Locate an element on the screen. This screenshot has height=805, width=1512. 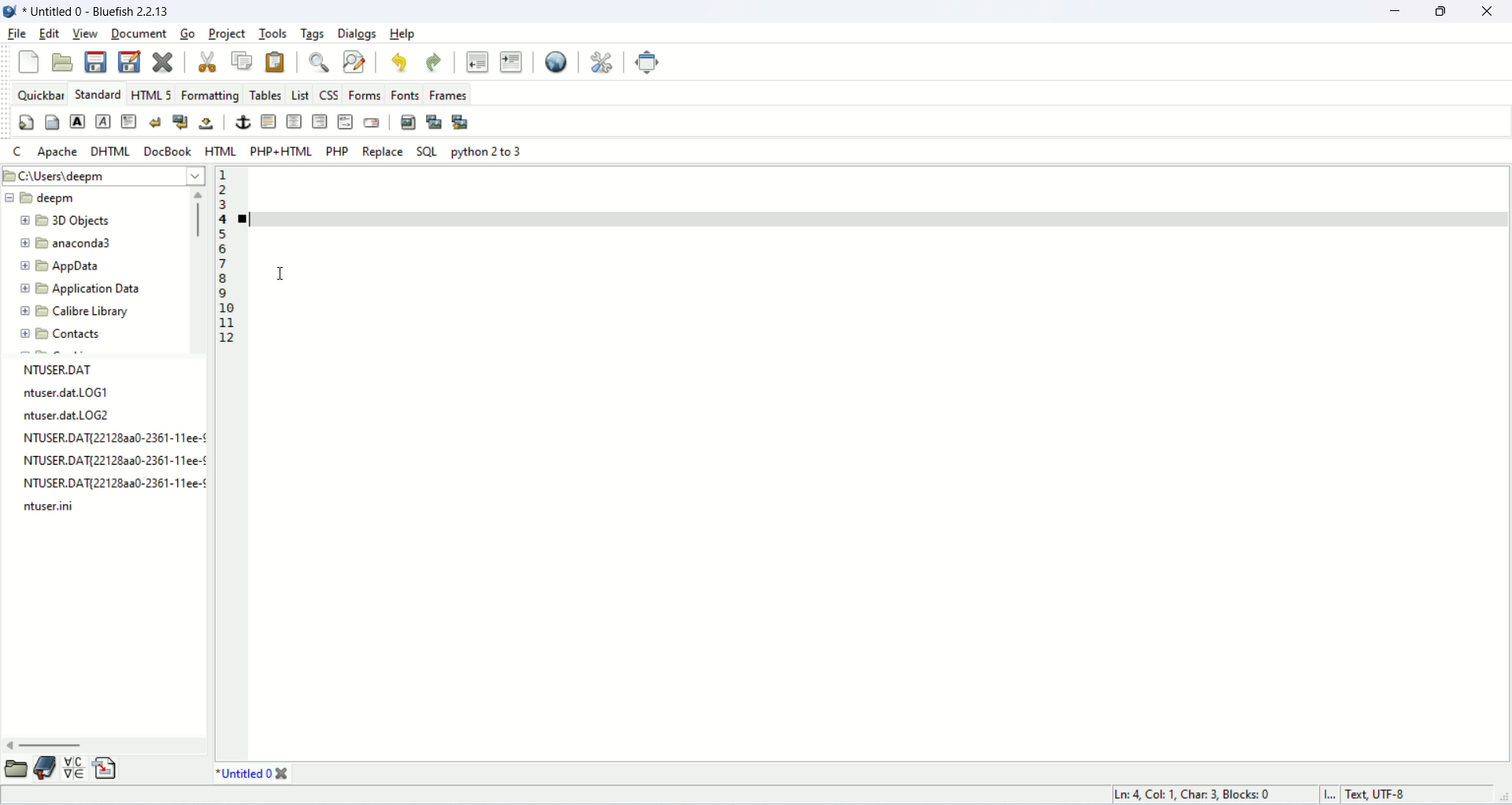
html comment is located at coordinates (346, 120).